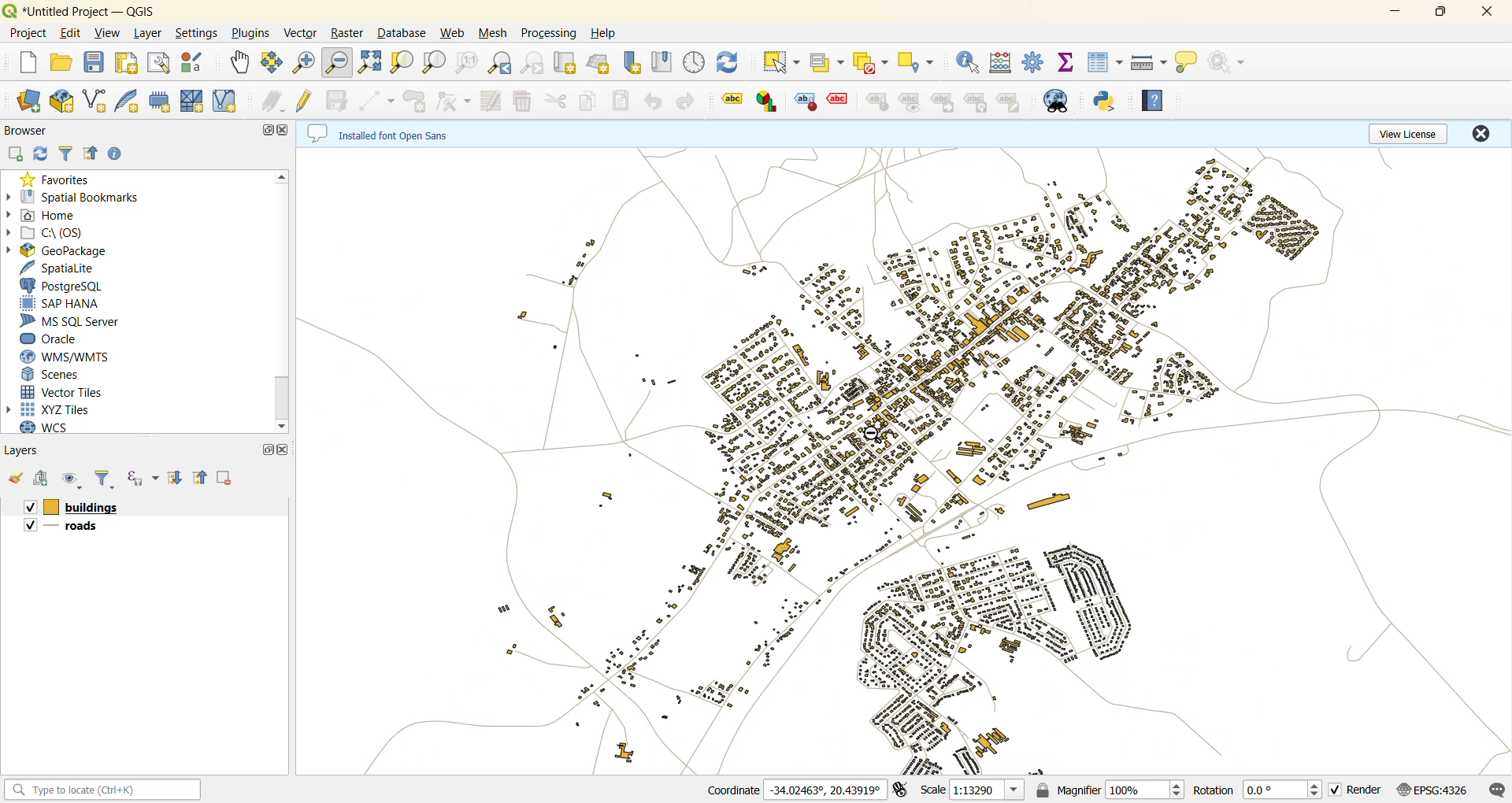 This screenshot has width=1512, height=803. I want to click on maximize, so click(269, 132).